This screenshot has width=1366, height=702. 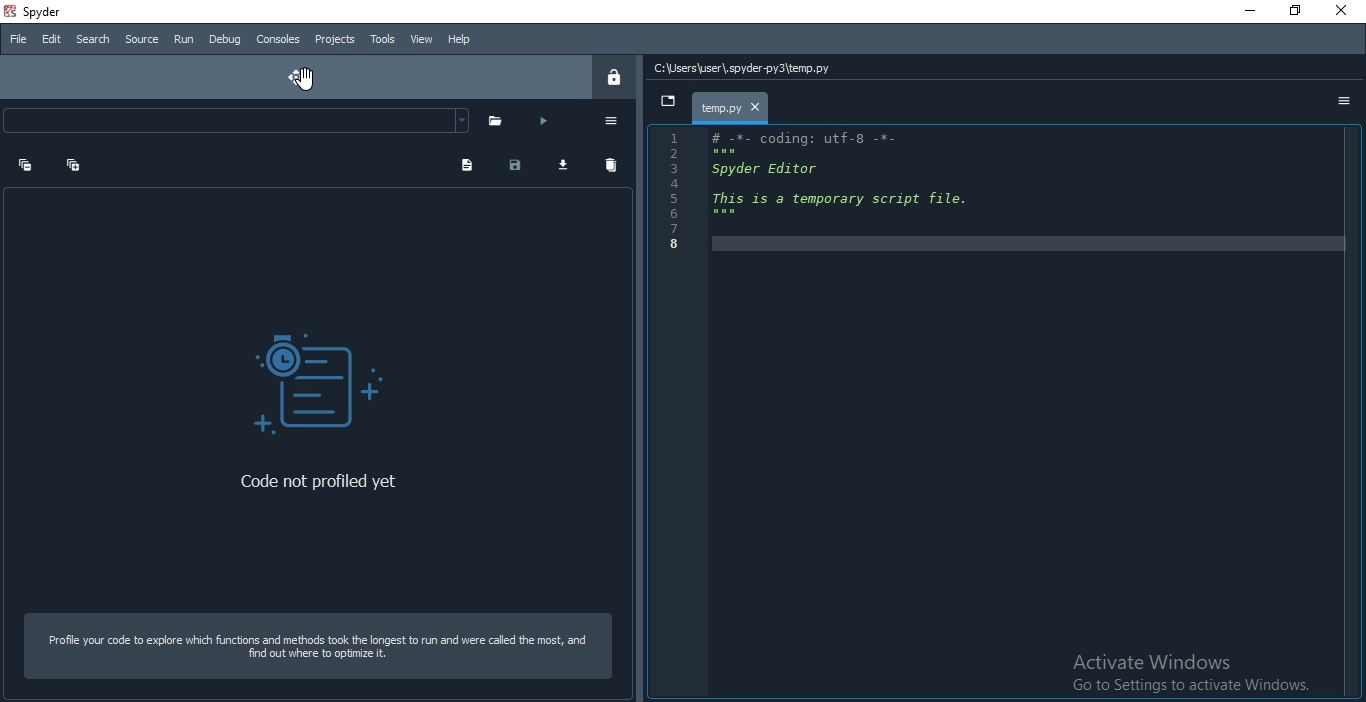 What do you see at coordinates (225, 40) in the screenshot?
I see `Debug` at bounding box center [225, 40].